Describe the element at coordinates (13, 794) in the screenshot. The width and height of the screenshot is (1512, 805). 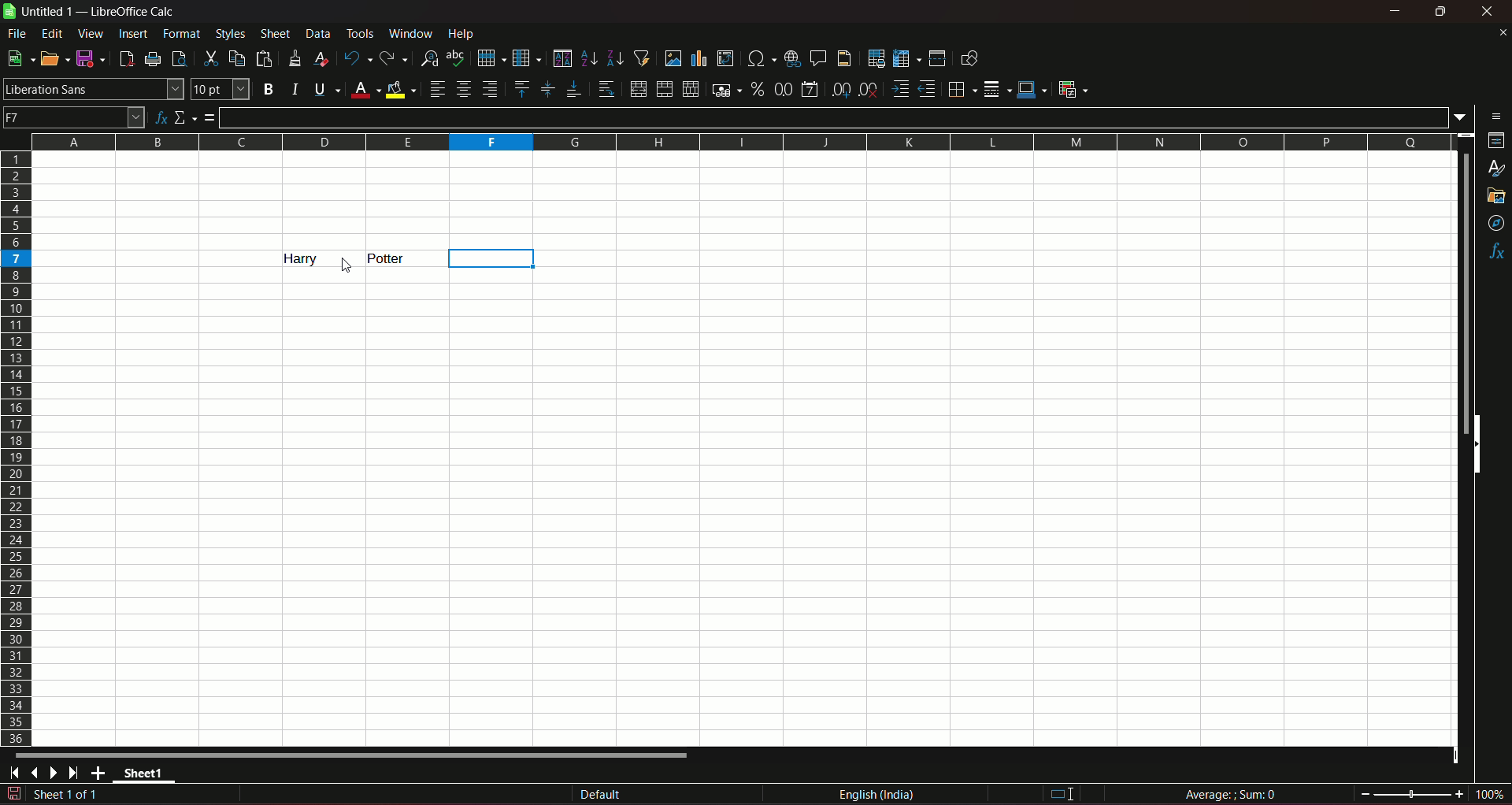
I see `document modified` at that location.